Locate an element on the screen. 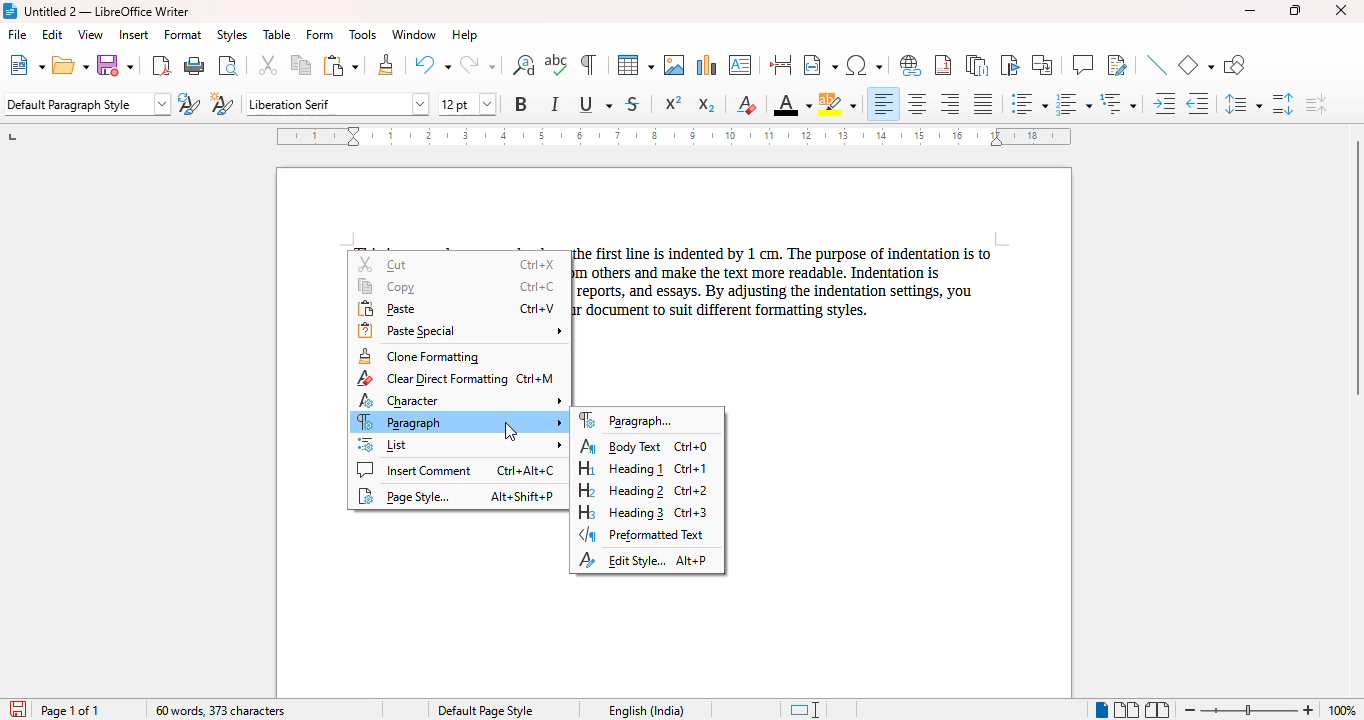  update selected style is located at coordinates (189, 103).